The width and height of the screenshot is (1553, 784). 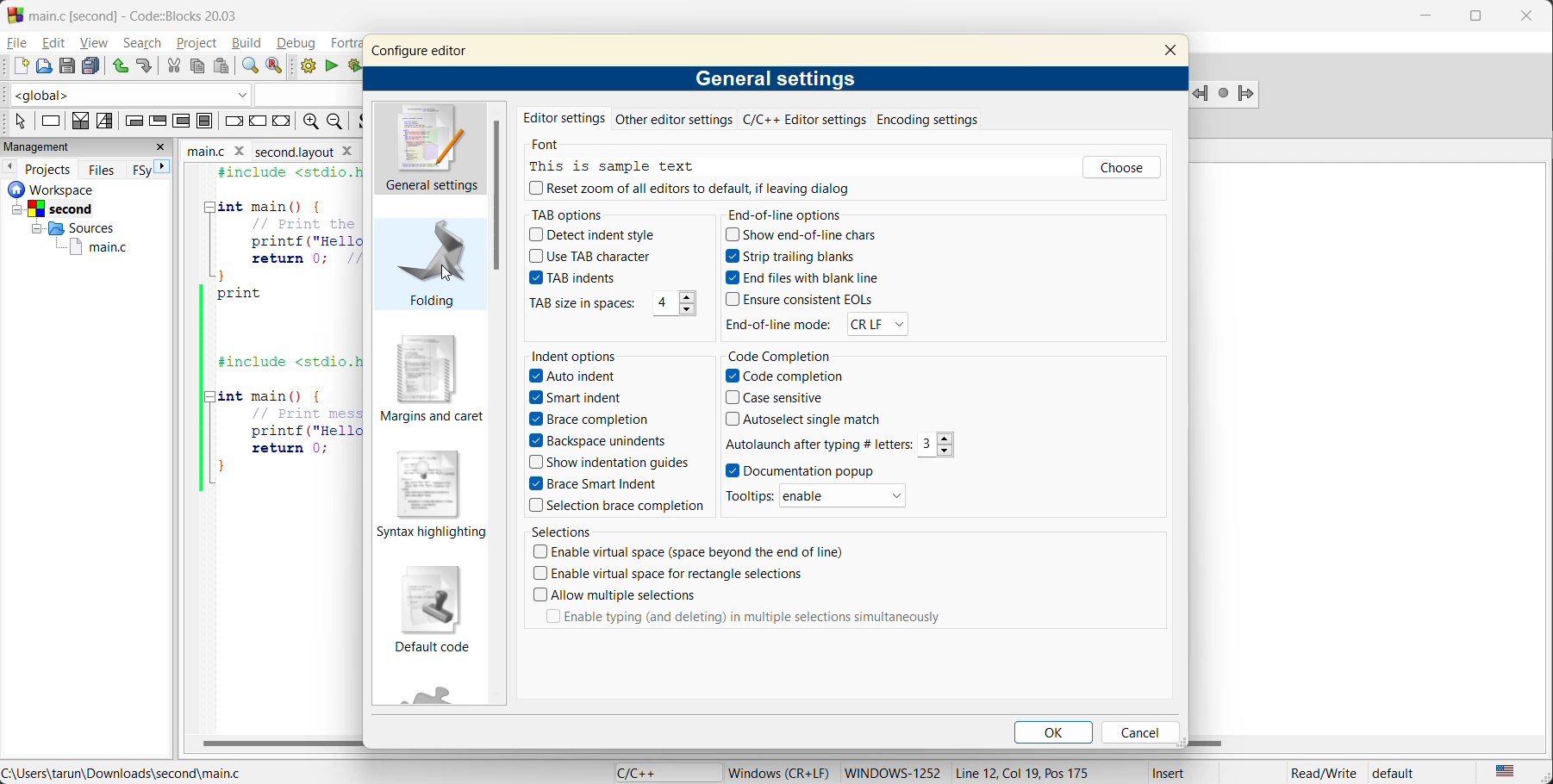 I want to click on Backspace unindents, so click(x=601, y=441).